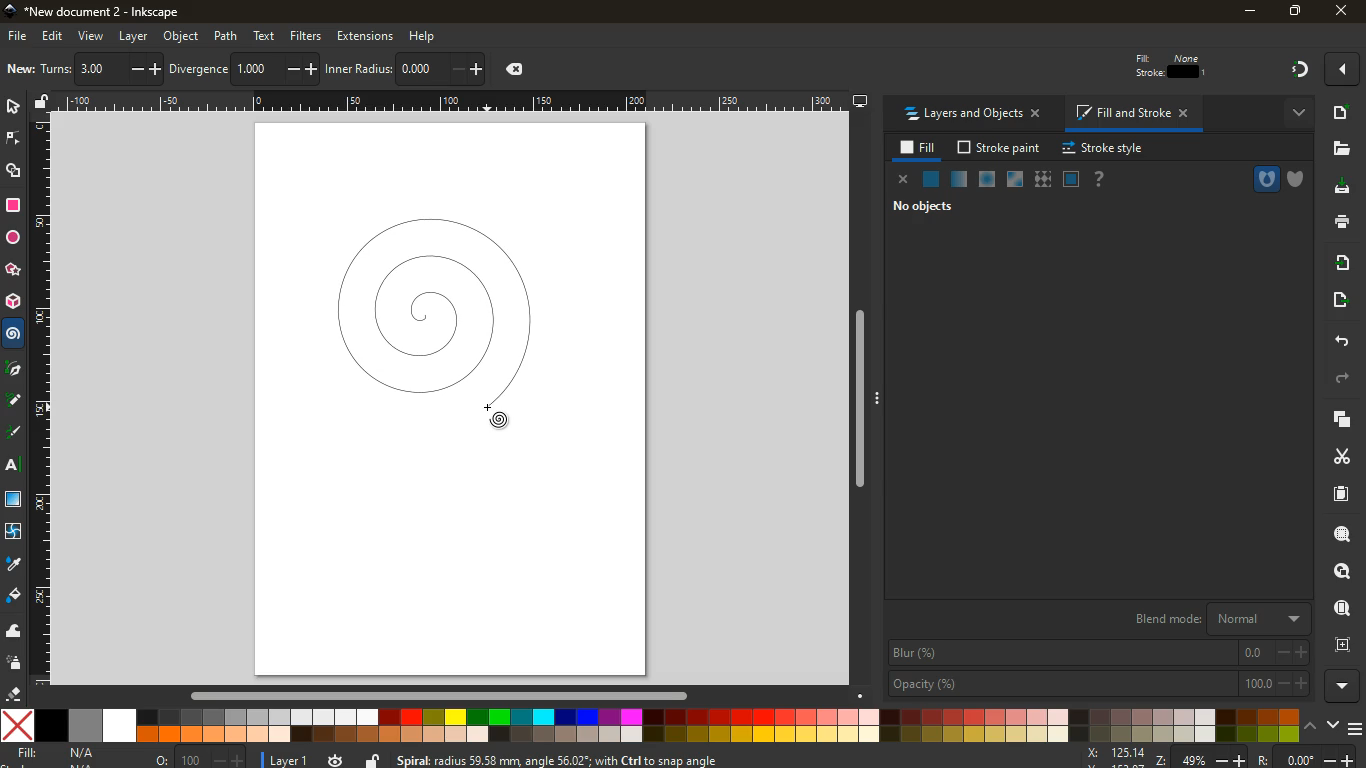 Image resolution: width=1366 pixels, height=768 pixels. Describe the element at coordinates (1302, 70) in the screenshot. I see `gradient` at that location.